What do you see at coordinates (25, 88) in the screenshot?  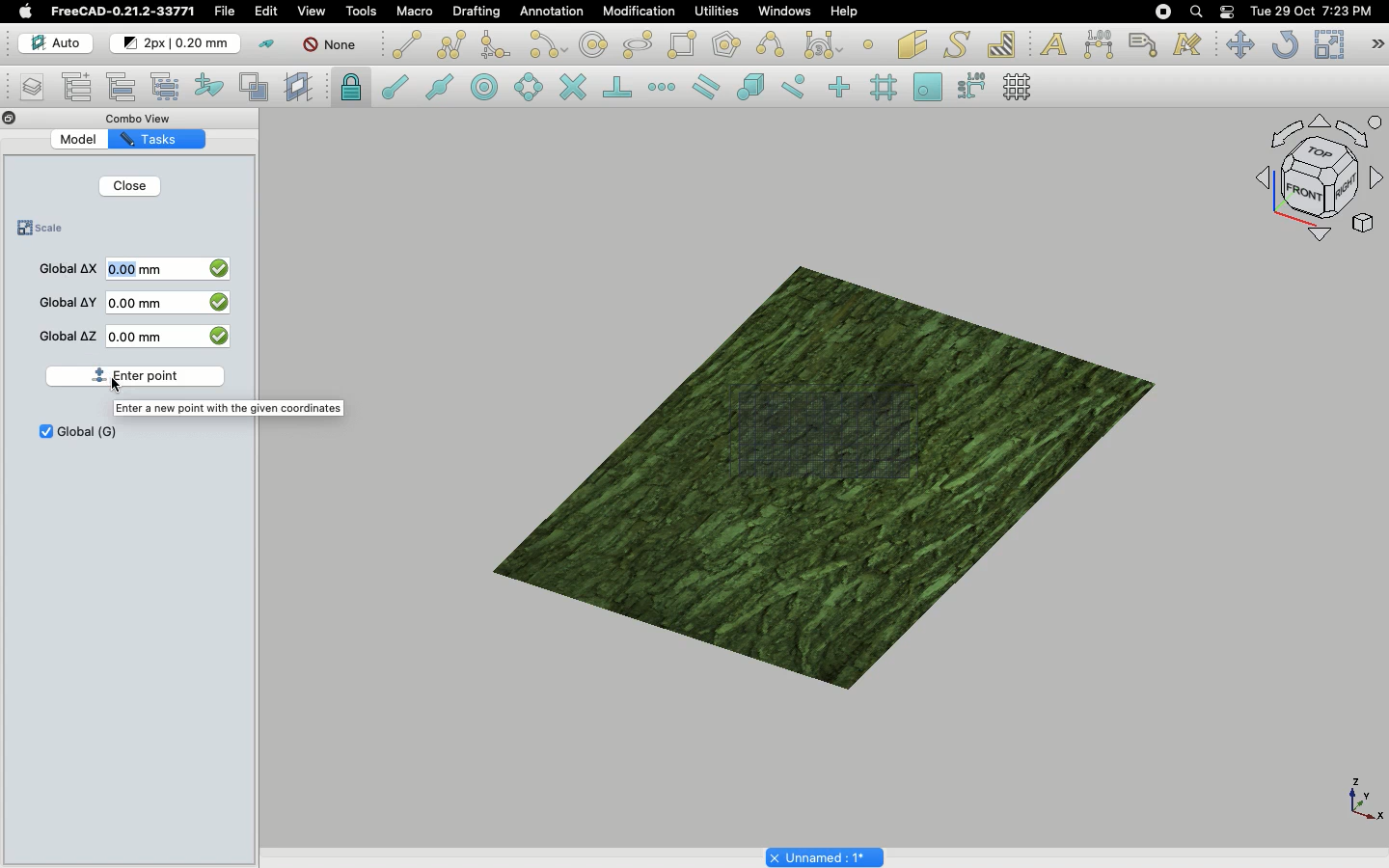 I see `Manage layers` at bounding box center [25, 88].